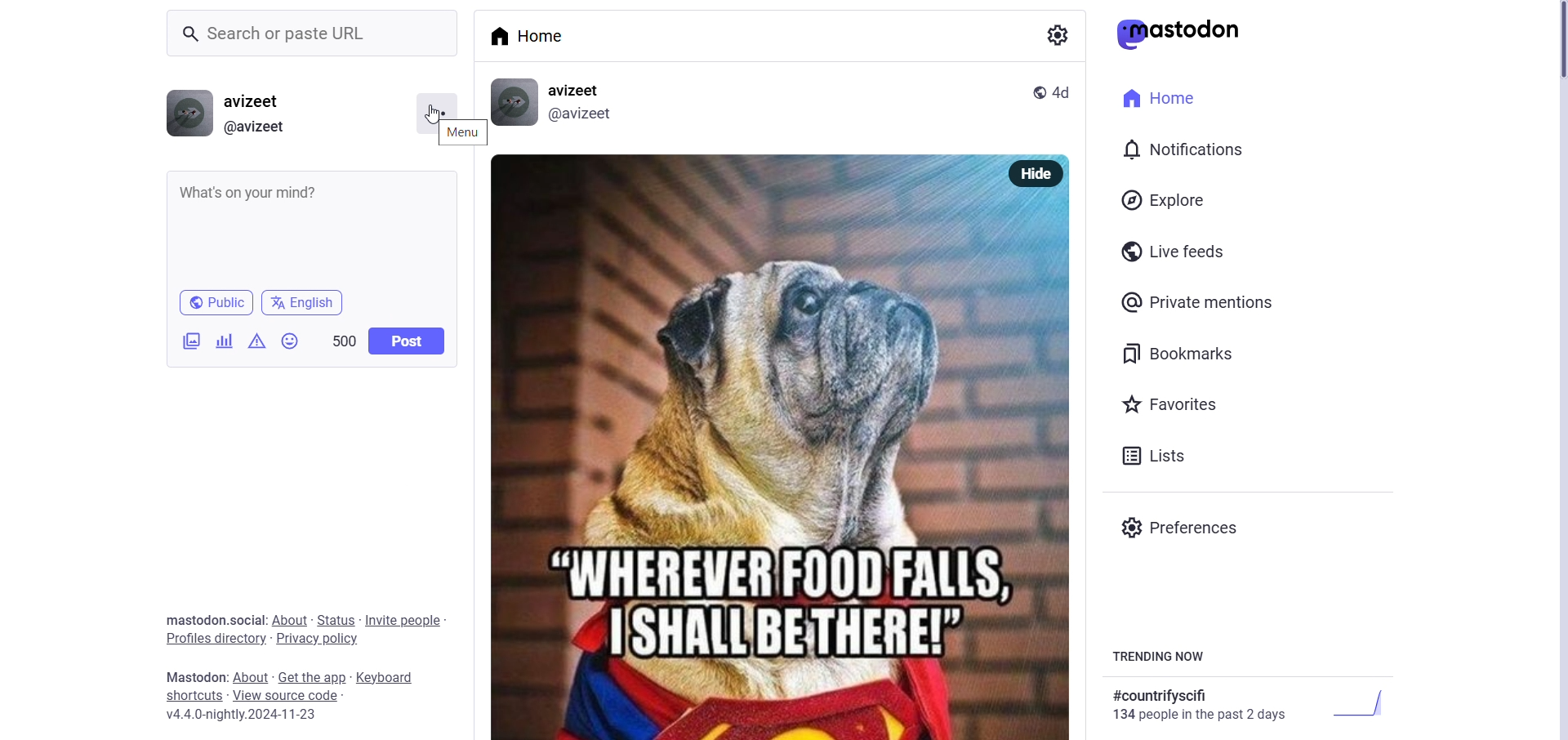 The width and height of the screenshot is (1568, 740). What do you see at coordinates (305, 303) in the screenshot?
I see `language` at bounding box center [305, 303].